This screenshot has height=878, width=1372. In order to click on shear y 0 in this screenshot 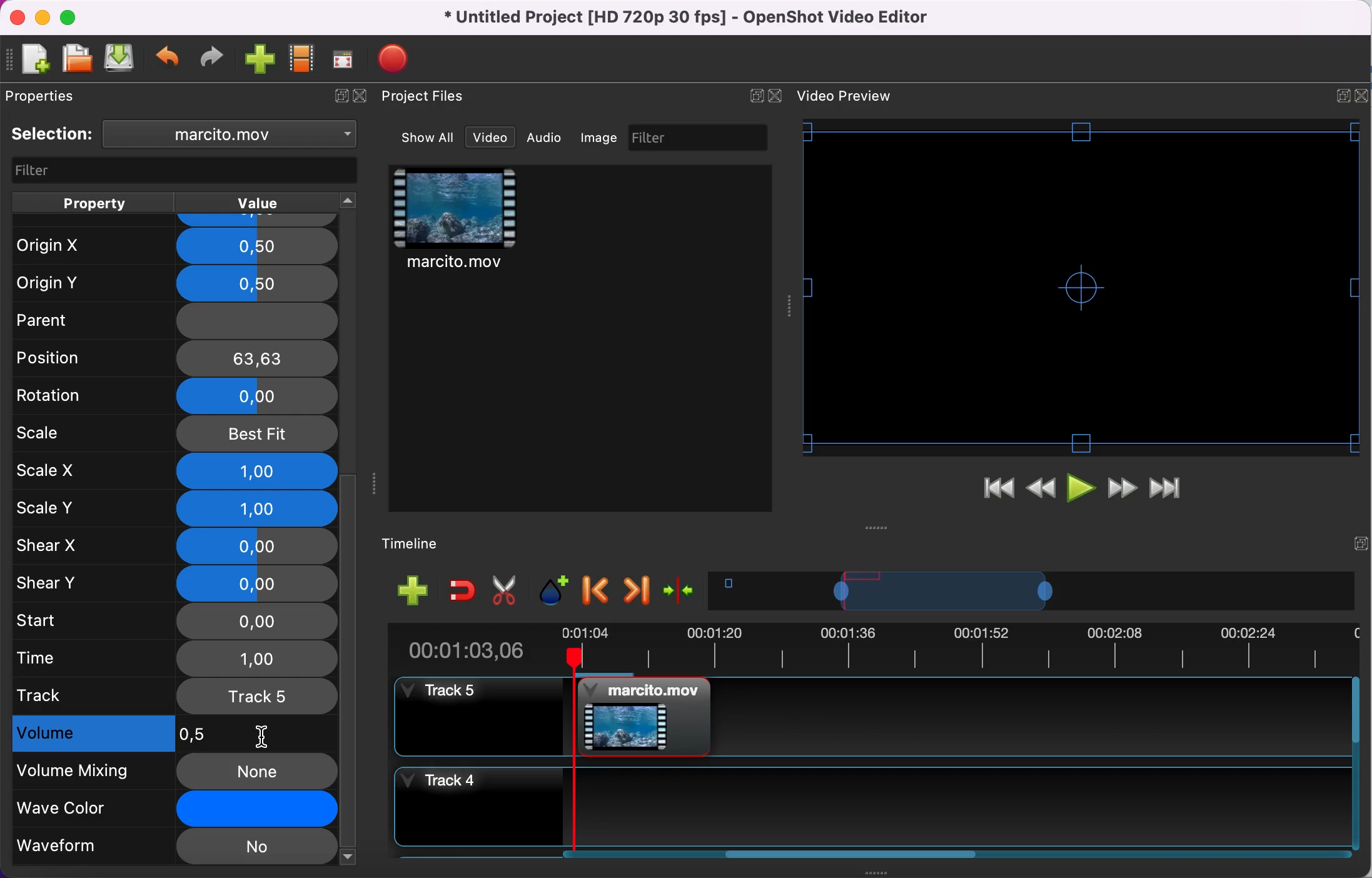, I will do `click(176, 583)`.